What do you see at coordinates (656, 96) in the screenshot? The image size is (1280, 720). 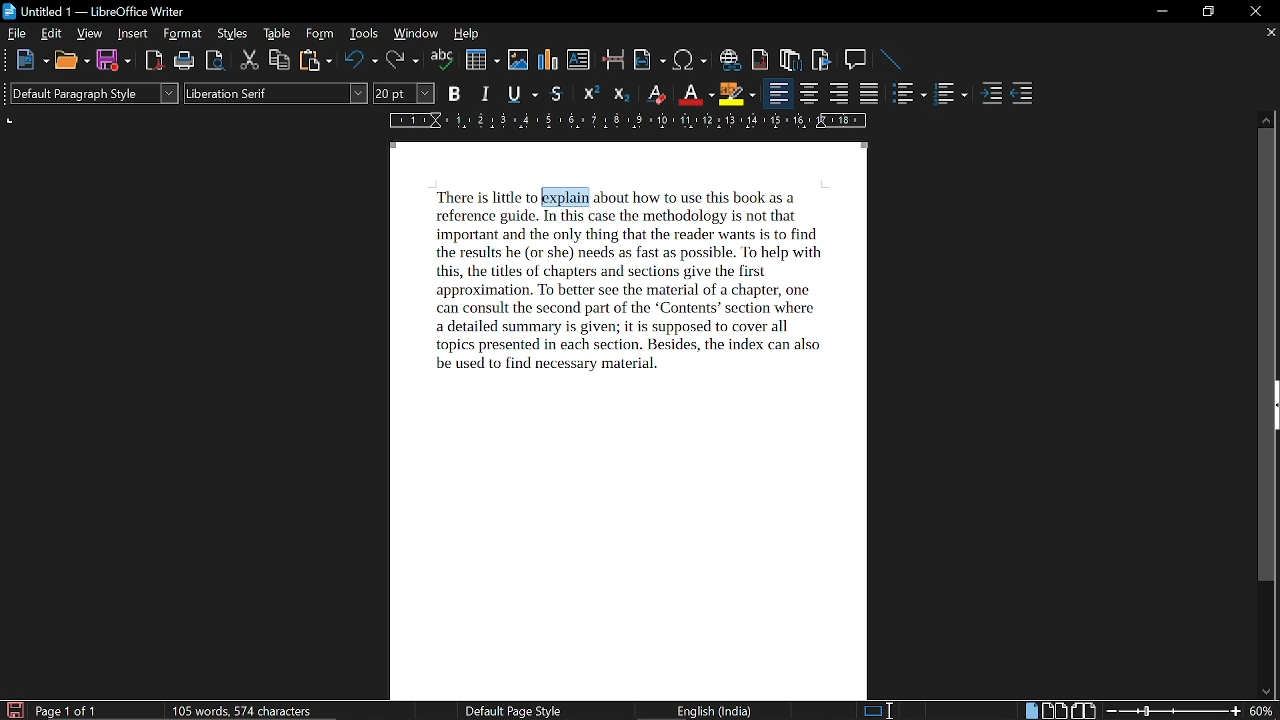 I see `eraser` at bounding box center [656, 96].